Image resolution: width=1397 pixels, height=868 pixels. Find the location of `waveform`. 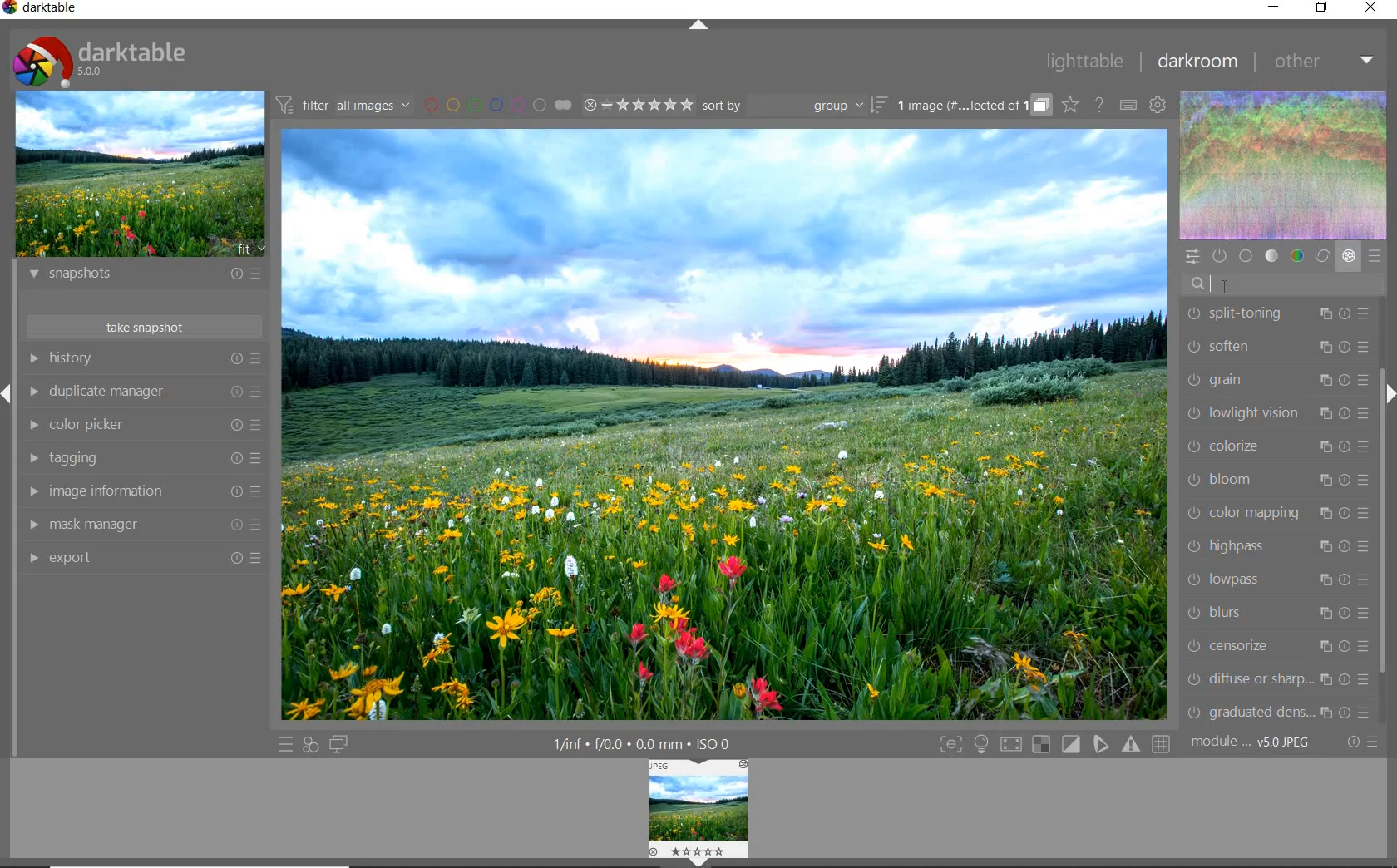

waveform is located at coordinates (1285, 165).